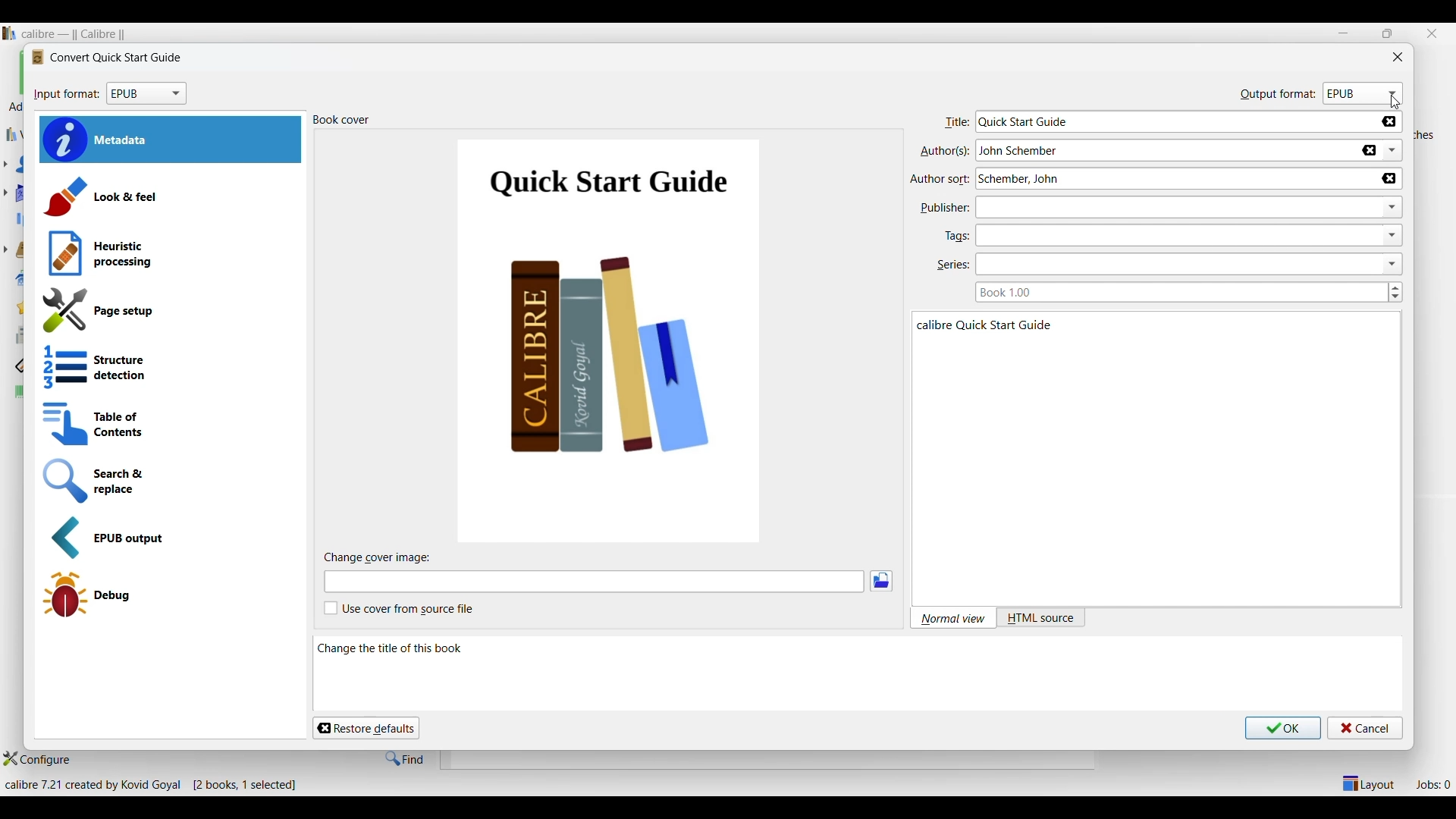 The width and height of the screenshot is (1456, 819). Describe the element at coordinates (168, 196) in the screenshot. I see `Laak and feel` at that location.